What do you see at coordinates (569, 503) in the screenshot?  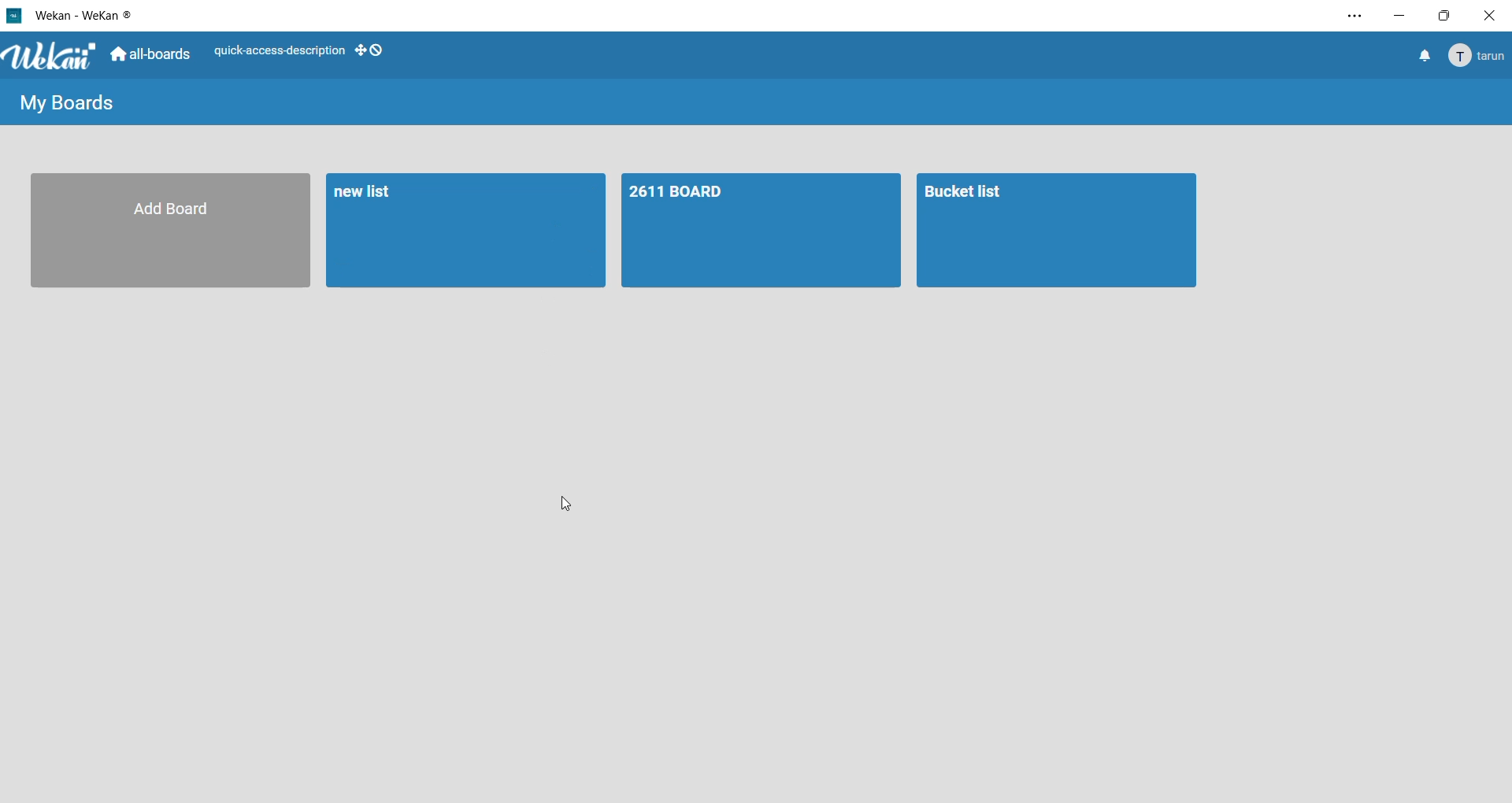 I see `cursor` at bounding box center [569, 503].